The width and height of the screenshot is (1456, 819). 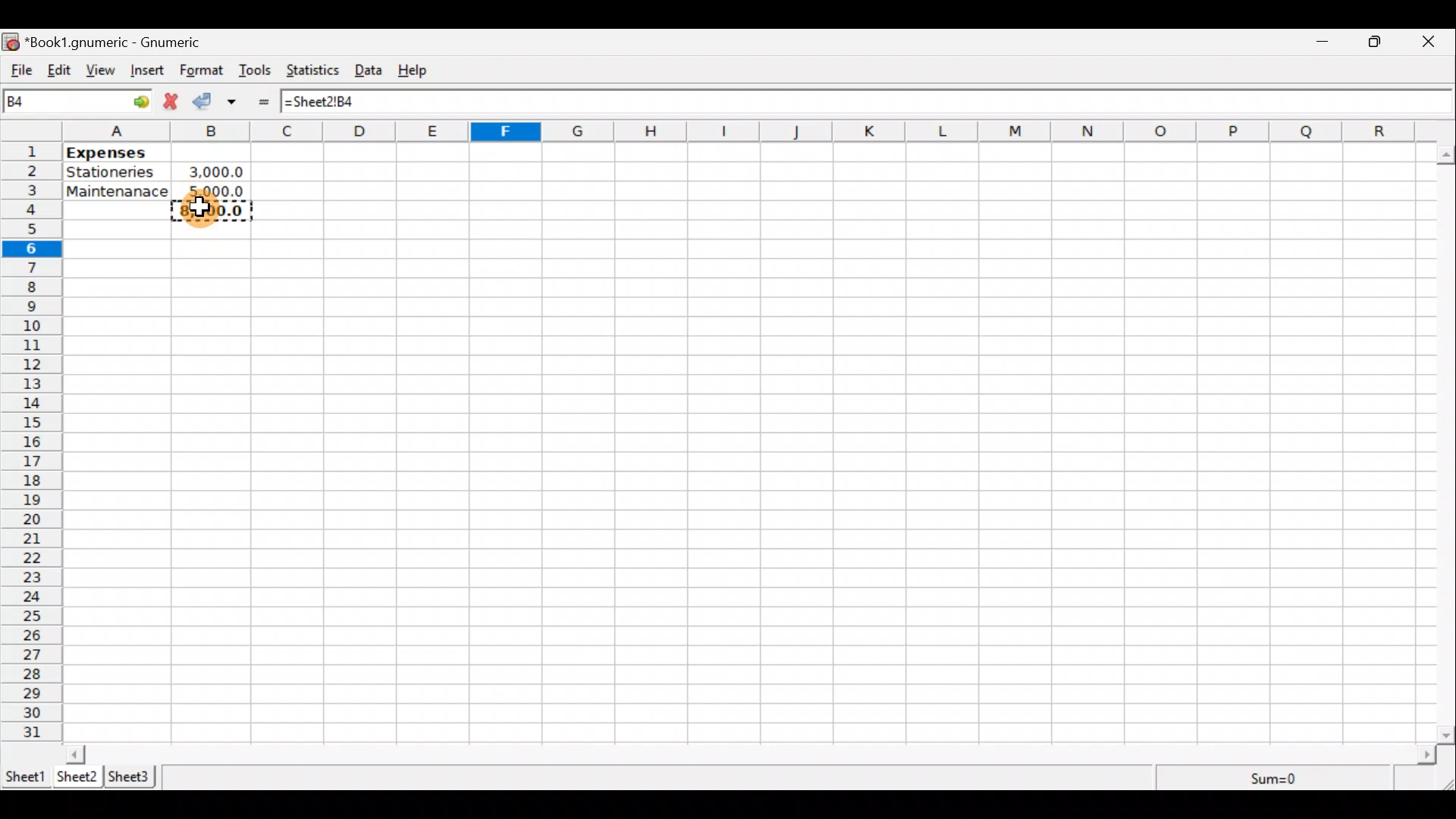 I want to click on Scroll bar, so click(x=752, y=754).